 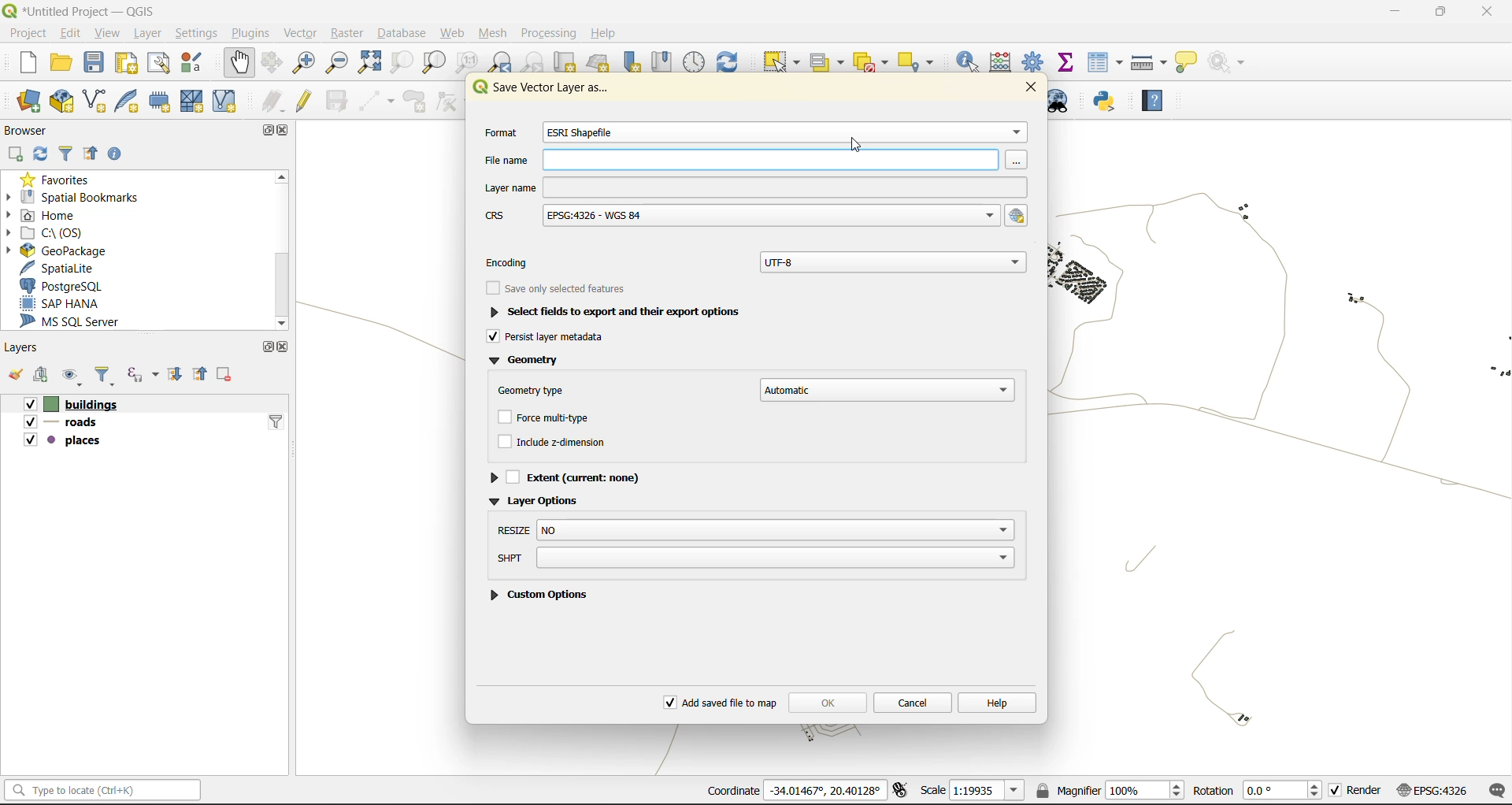 What do you see at coordinates (547, 32) in the screenshot?
I see `processing` at bounding box center [547, 32].